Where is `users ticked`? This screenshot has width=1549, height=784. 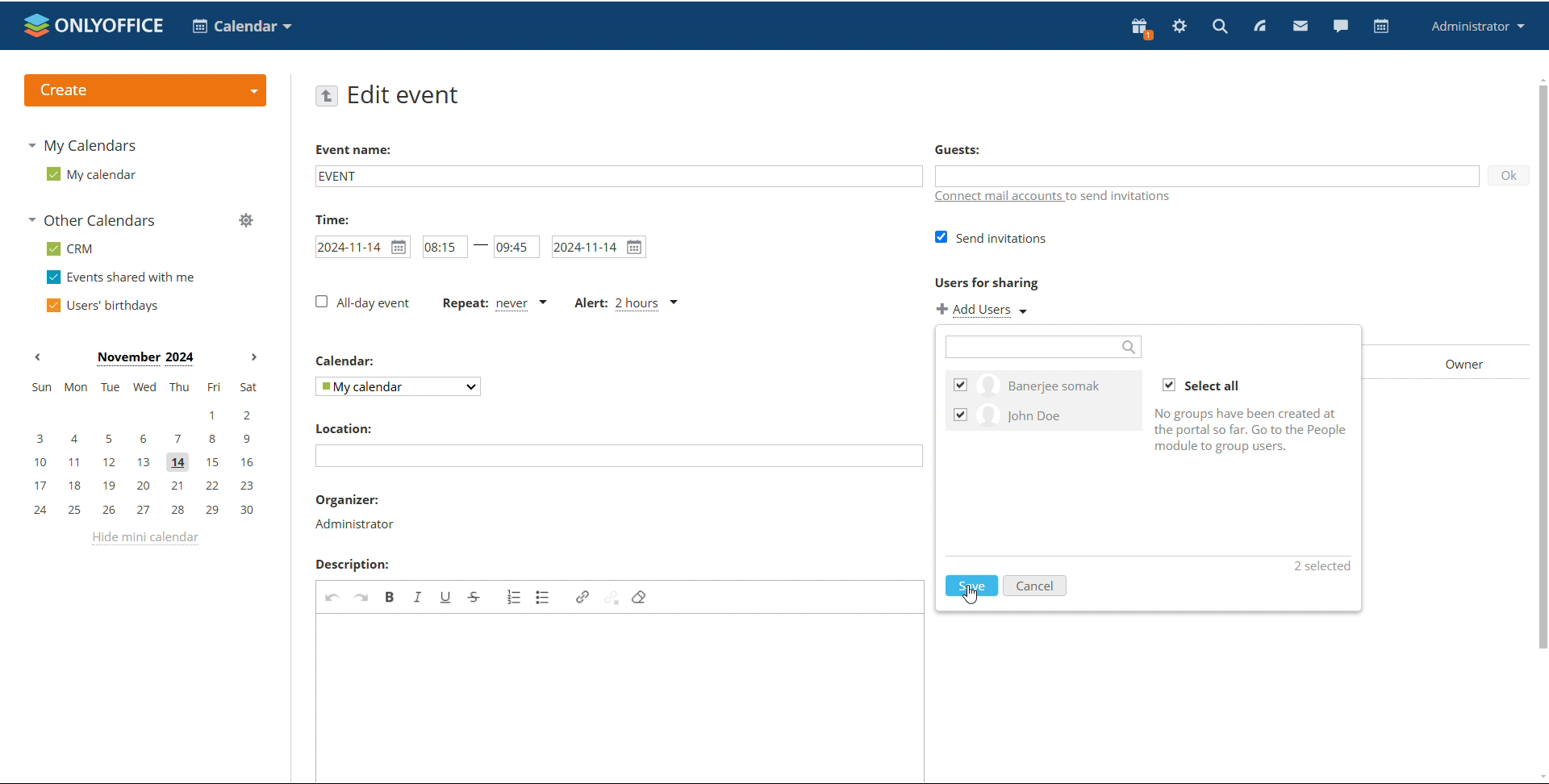 users ticked is located at coordinates (1044, 400).